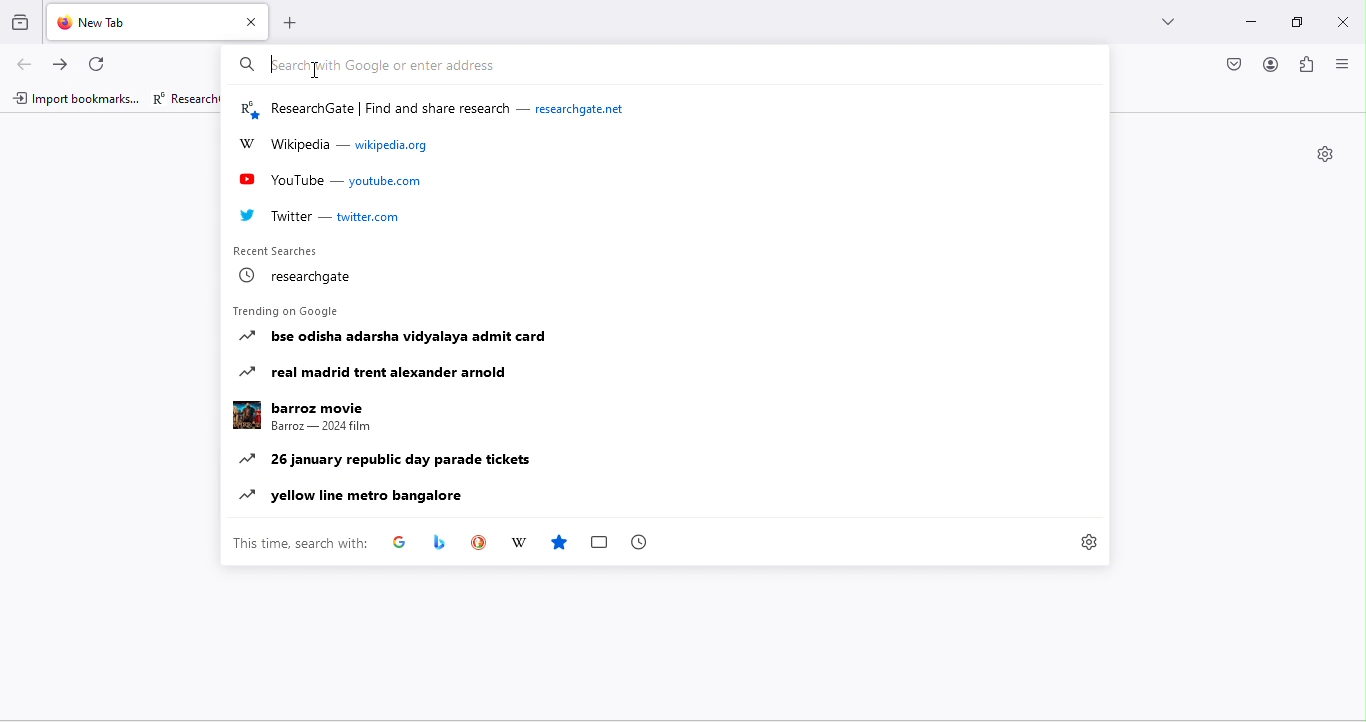 Image resolution: width=1366 pixels, height=722 pixels. I want to click on this time search with, so click(304, 546).